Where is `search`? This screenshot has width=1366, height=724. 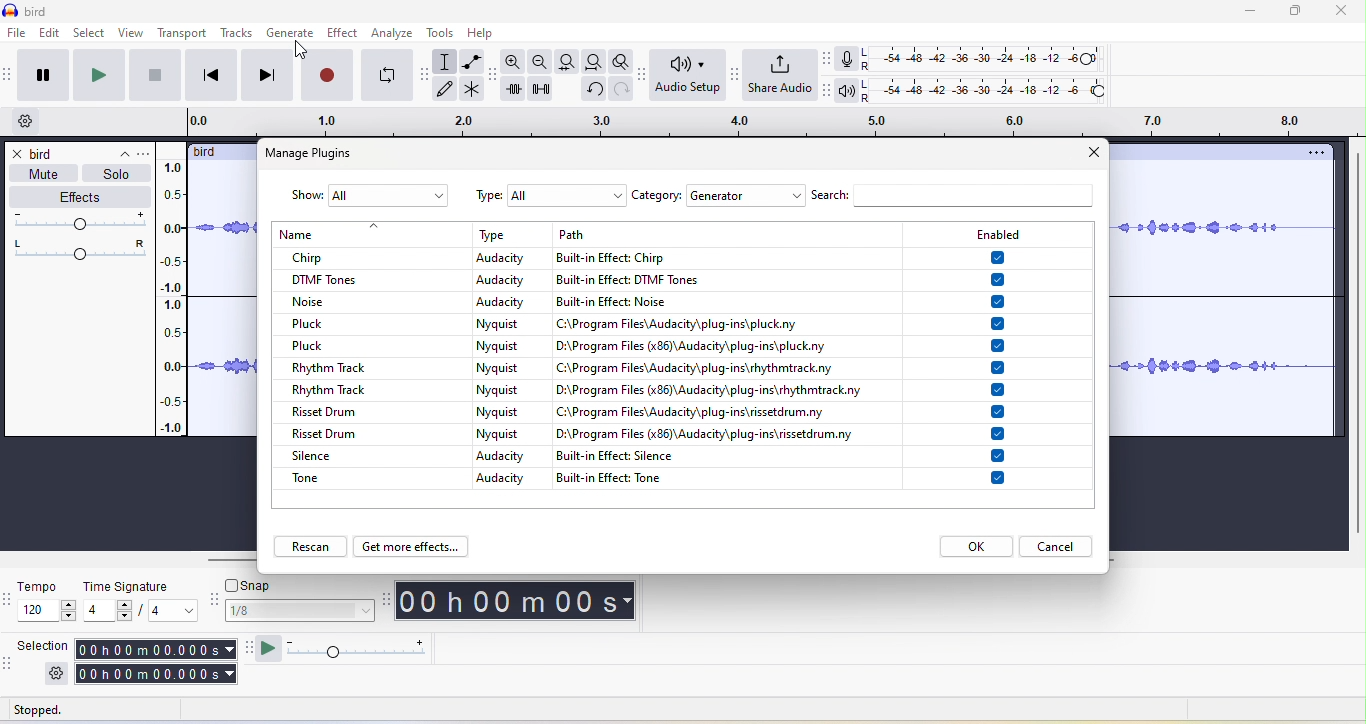
search is located at coordinates (959, 197).